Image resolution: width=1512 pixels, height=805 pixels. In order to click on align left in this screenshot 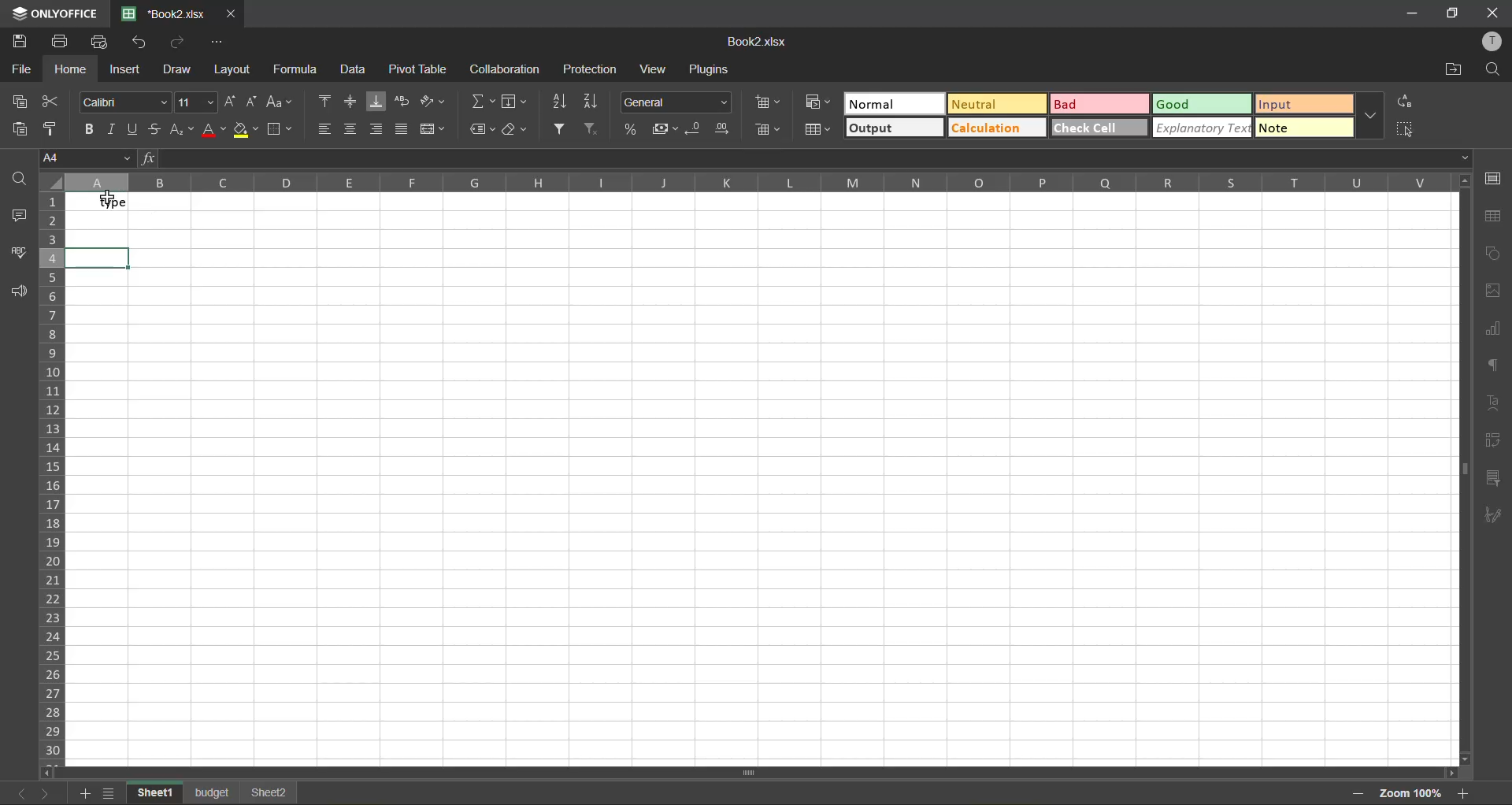, I will do `click(328, 130)`.